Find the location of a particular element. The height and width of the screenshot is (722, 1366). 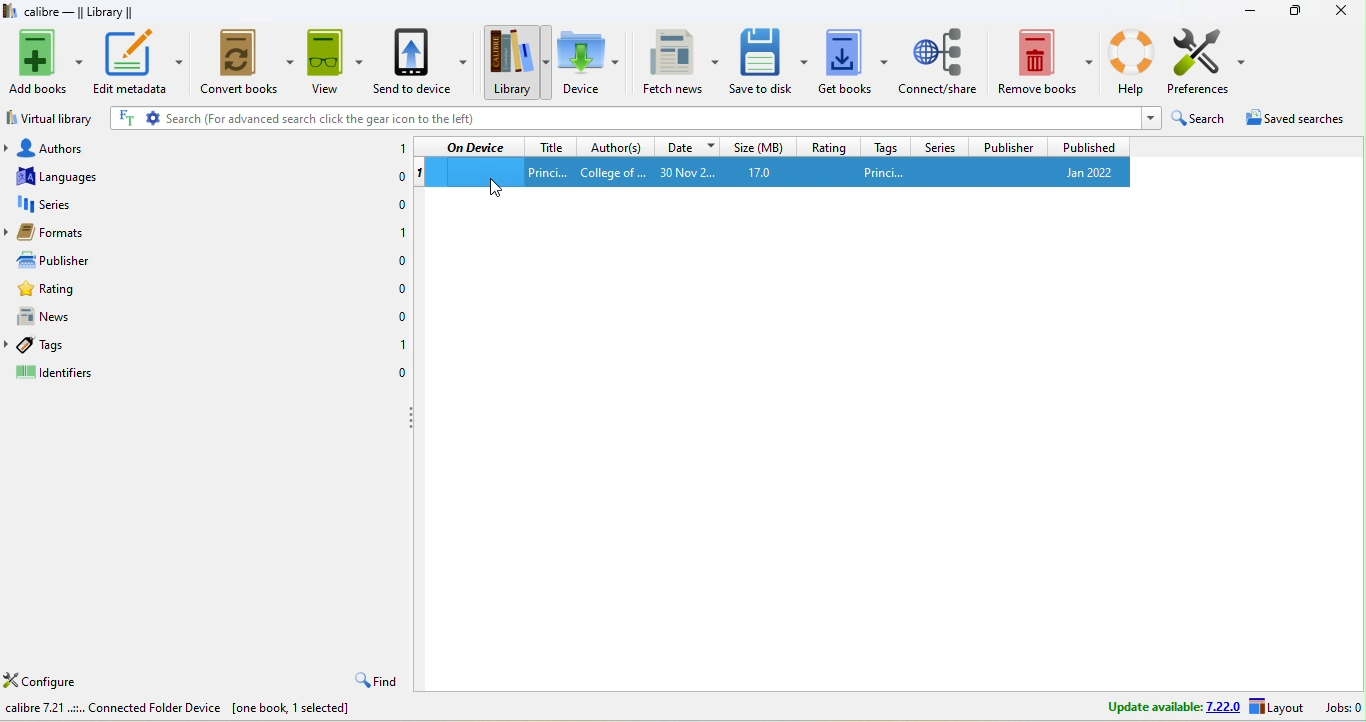

resize is located at coordinates (1295, 9).